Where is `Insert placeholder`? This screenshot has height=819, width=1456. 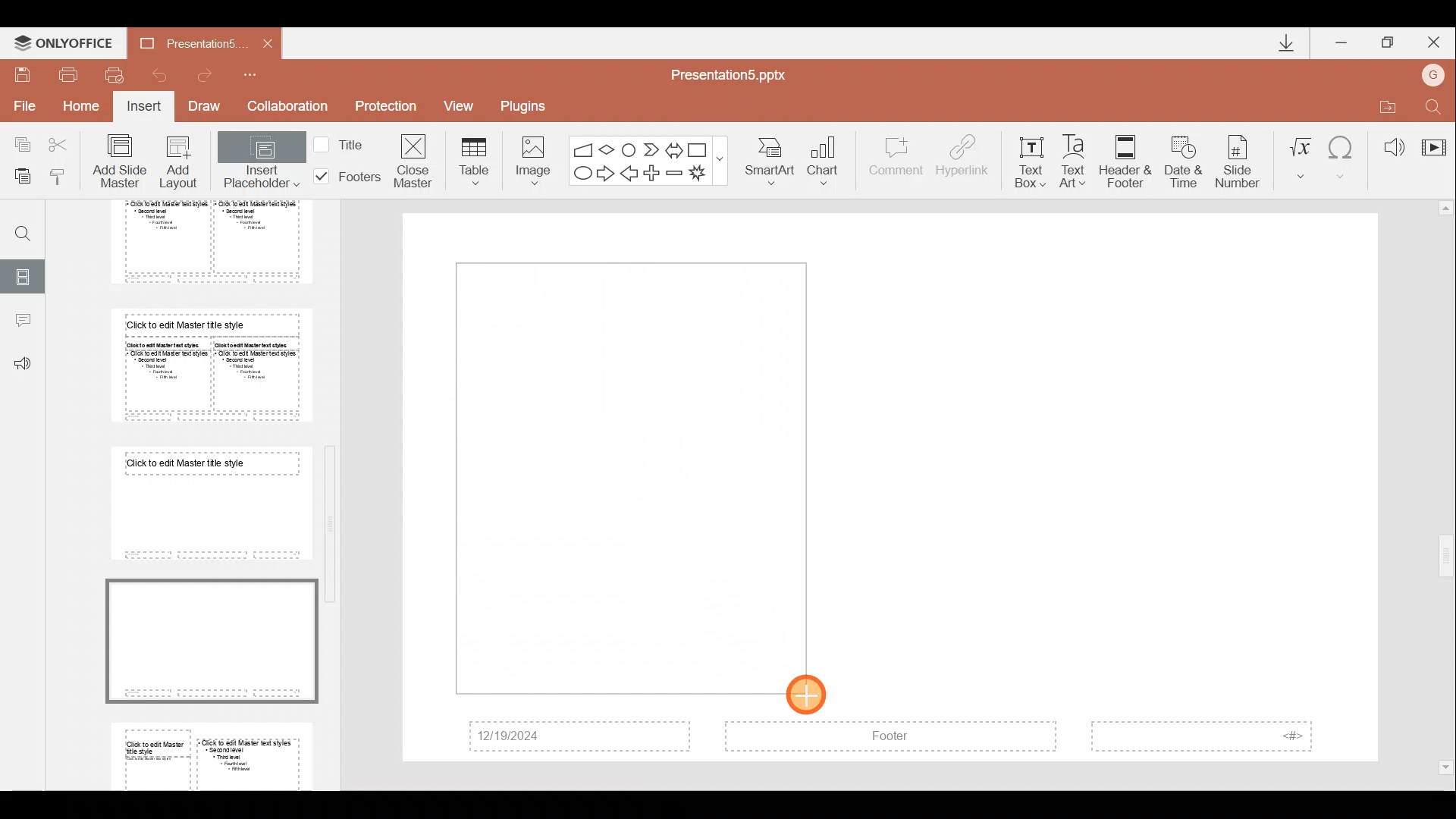
Insert placeholder is located at coordinates (260, 163).